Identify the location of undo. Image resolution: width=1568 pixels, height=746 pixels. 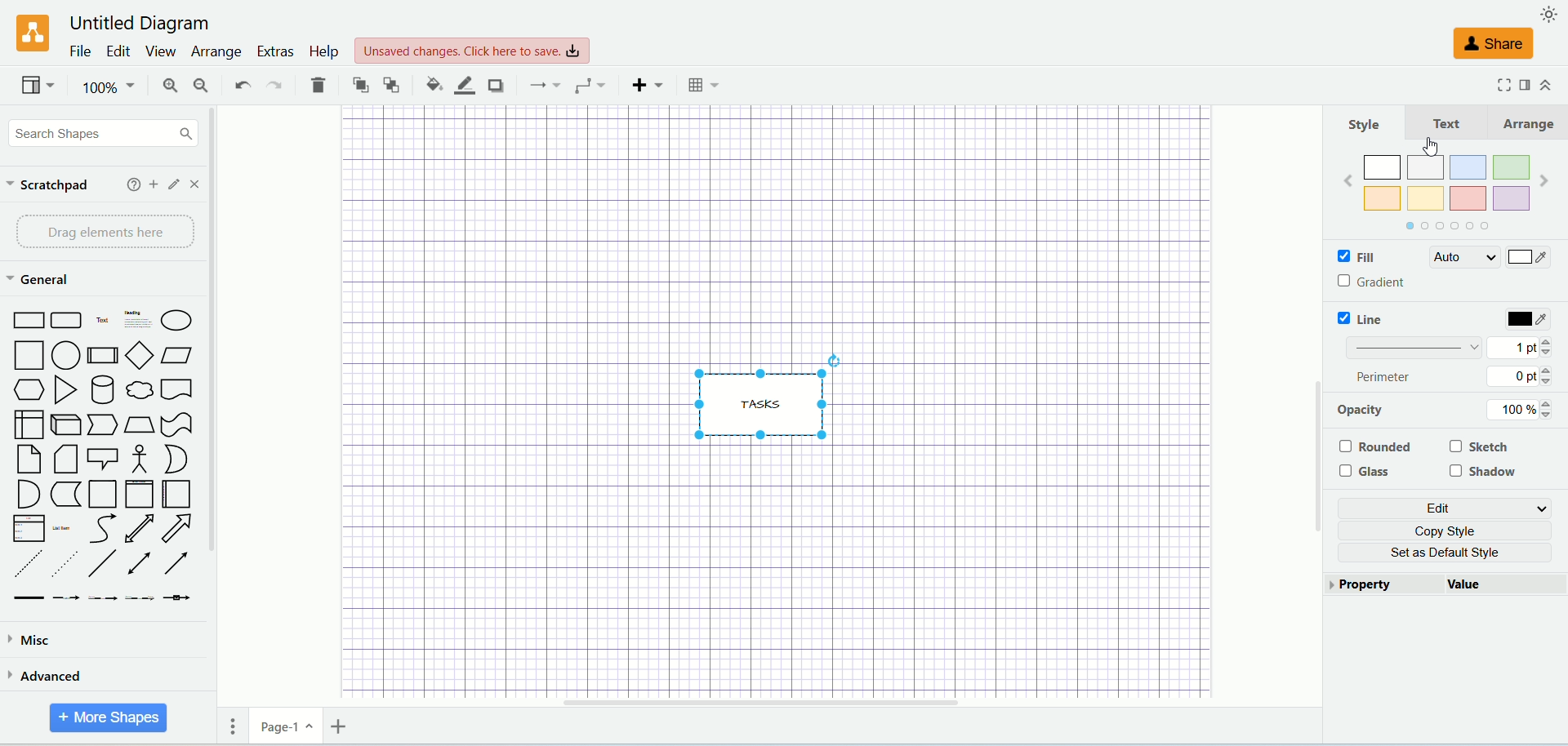
(240, 86).